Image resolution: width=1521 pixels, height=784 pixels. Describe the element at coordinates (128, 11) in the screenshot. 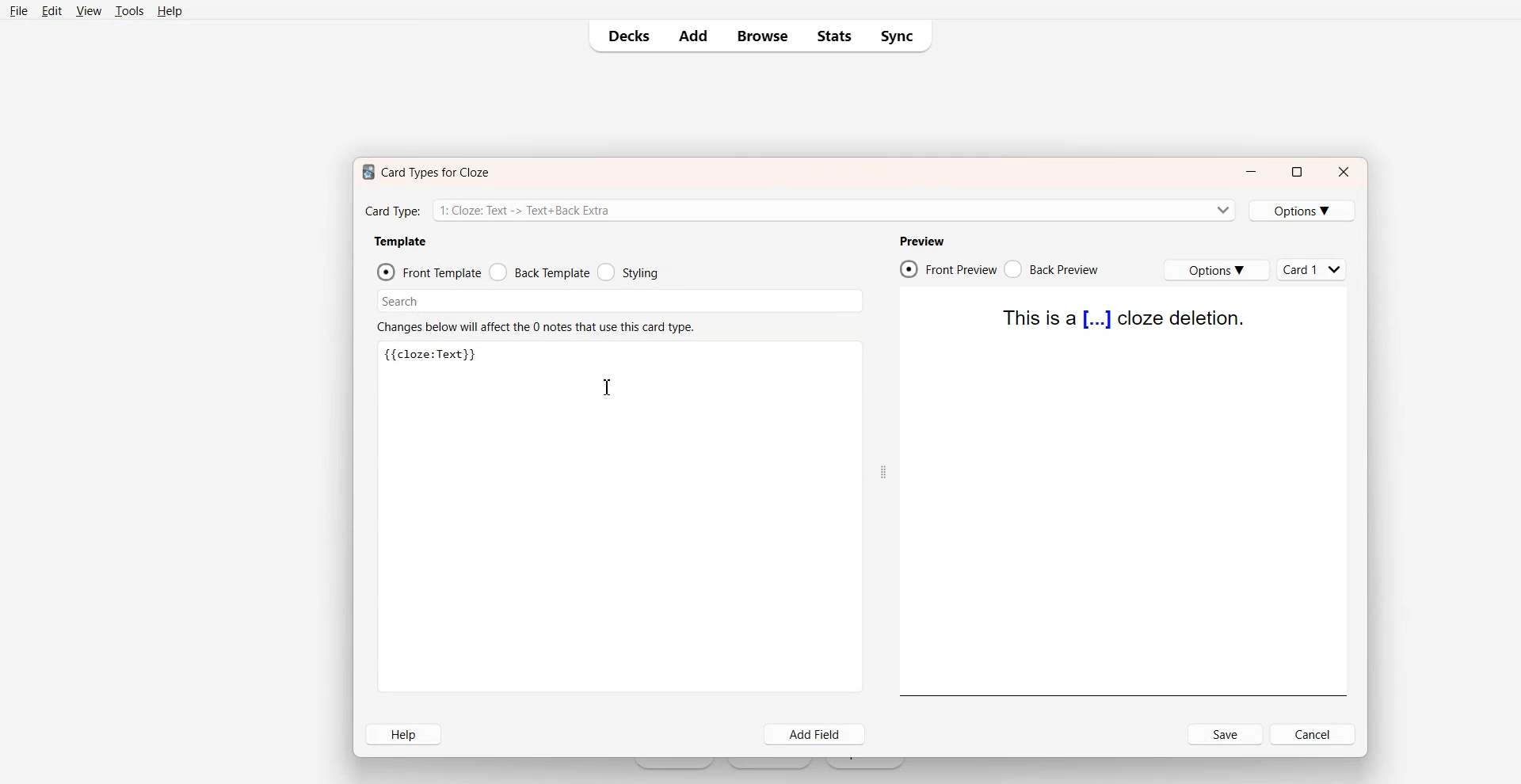

I see `Tools` at that location.